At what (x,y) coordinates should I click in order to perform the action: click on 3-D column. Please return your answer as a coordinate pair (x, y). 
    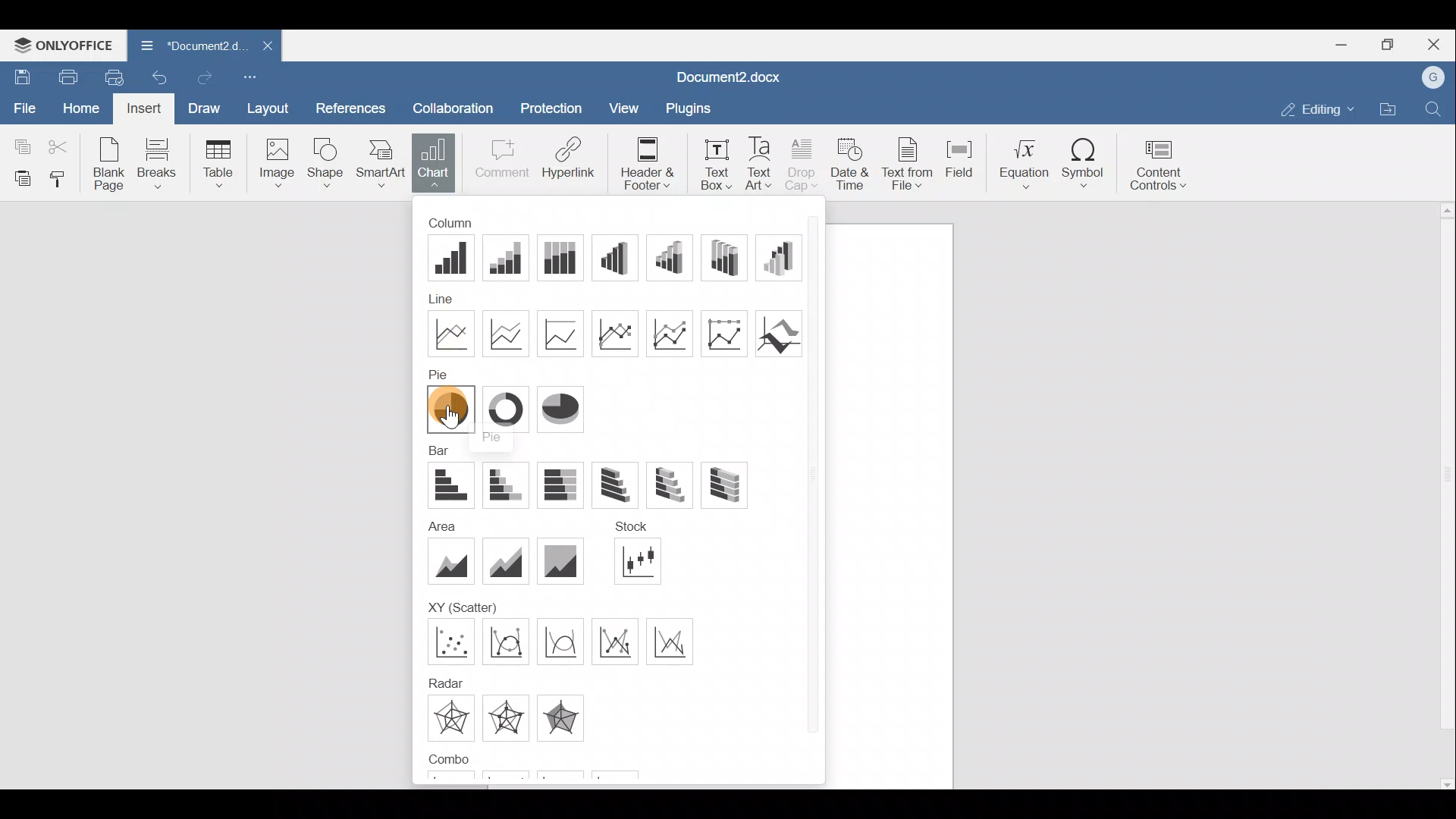
    Looking at the image, I should click on (777, 256).